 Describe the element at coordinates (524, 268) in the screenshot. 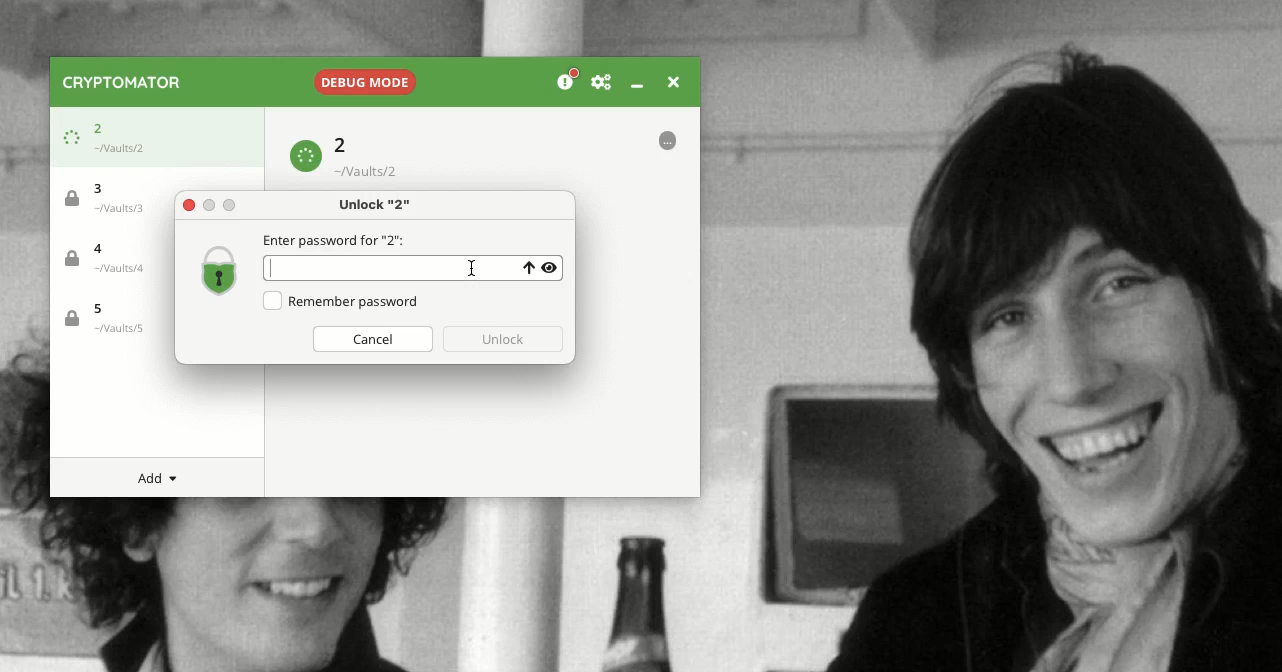

I see `Uppercase` at that location.